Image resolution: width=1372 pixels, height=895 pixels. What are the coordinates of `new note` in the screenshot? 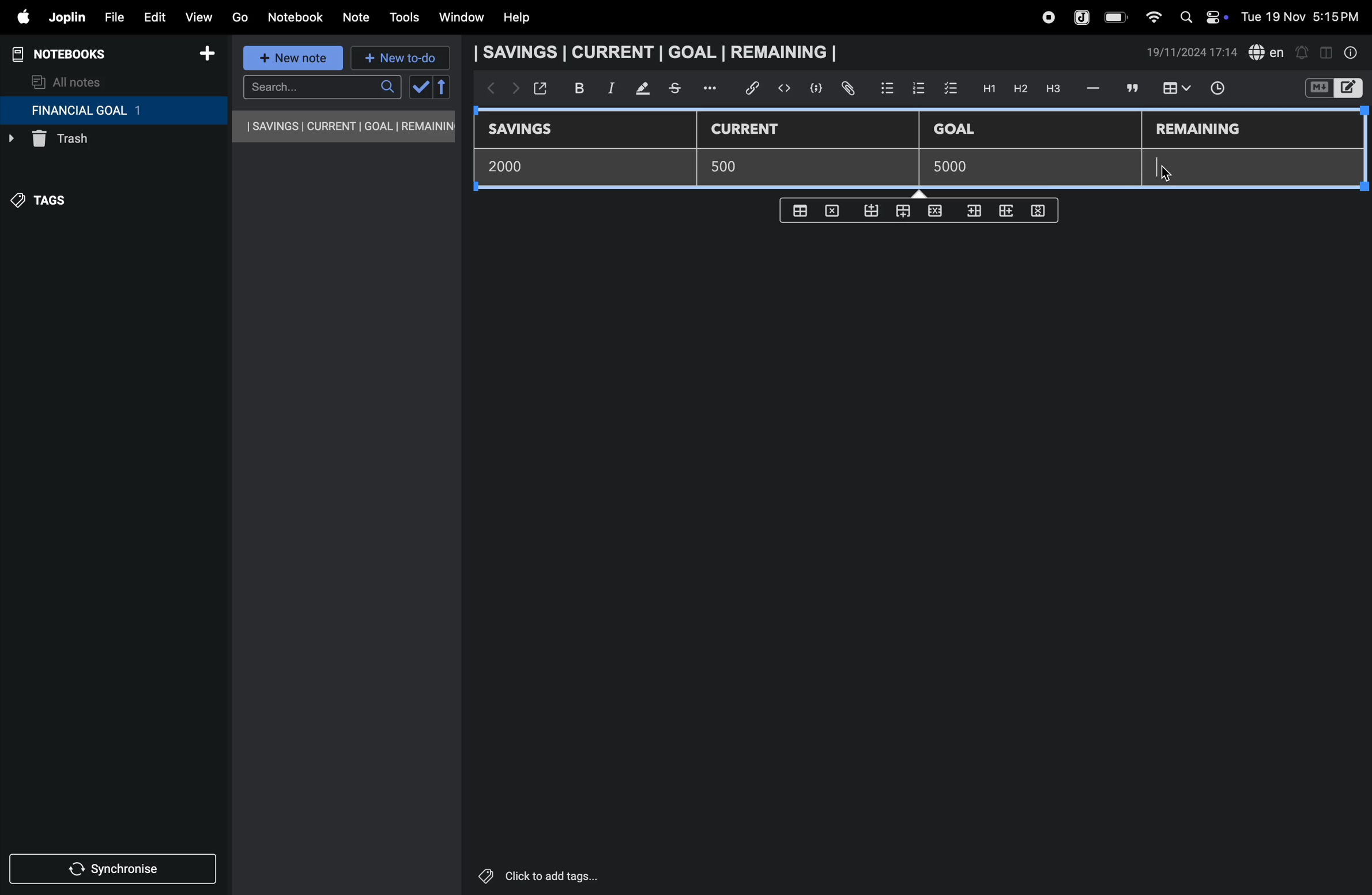 It's located at (295, 59).